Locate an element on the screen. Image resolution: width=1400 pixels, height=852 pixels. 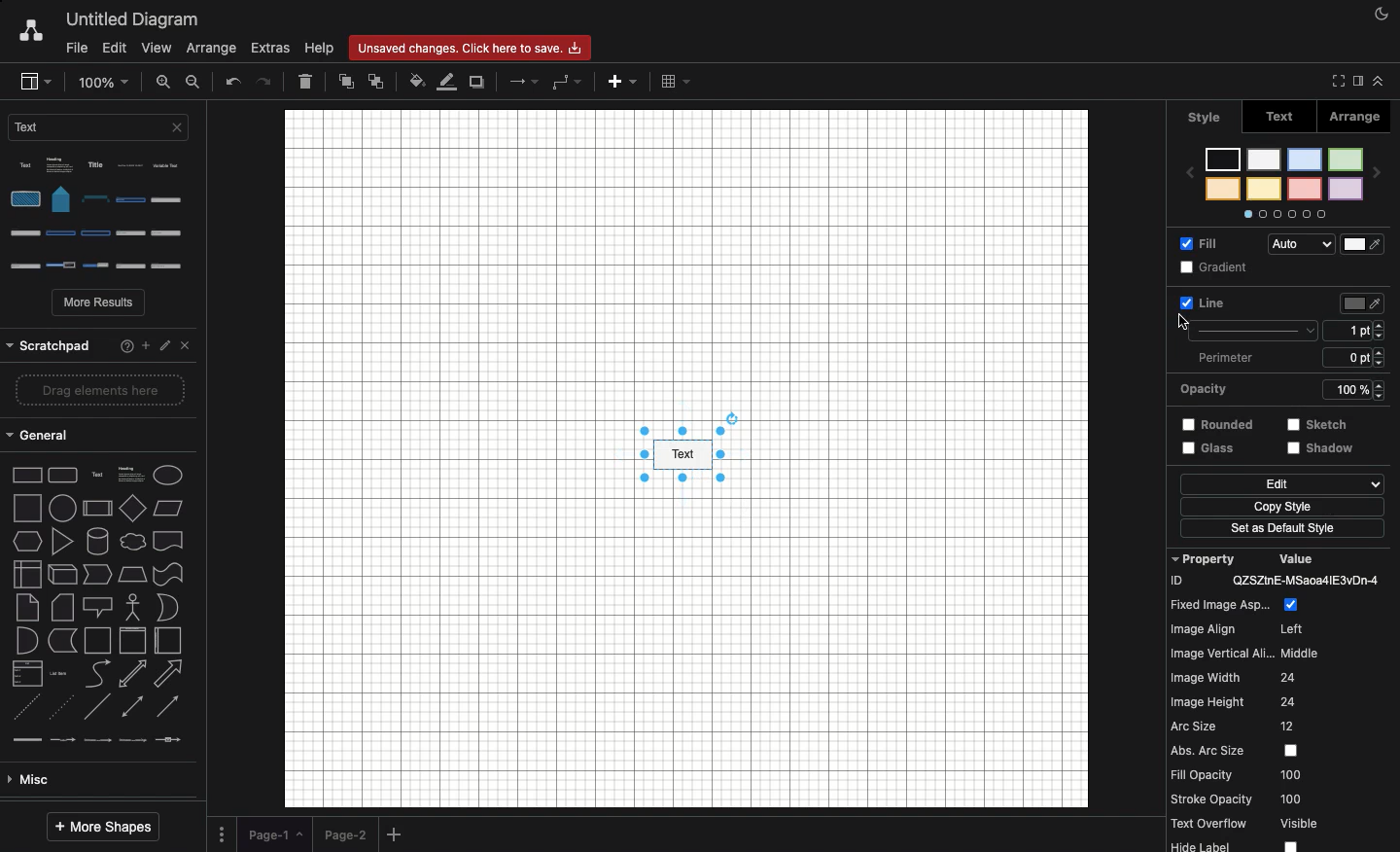
Draw.io is located at coordinates (30, 32).